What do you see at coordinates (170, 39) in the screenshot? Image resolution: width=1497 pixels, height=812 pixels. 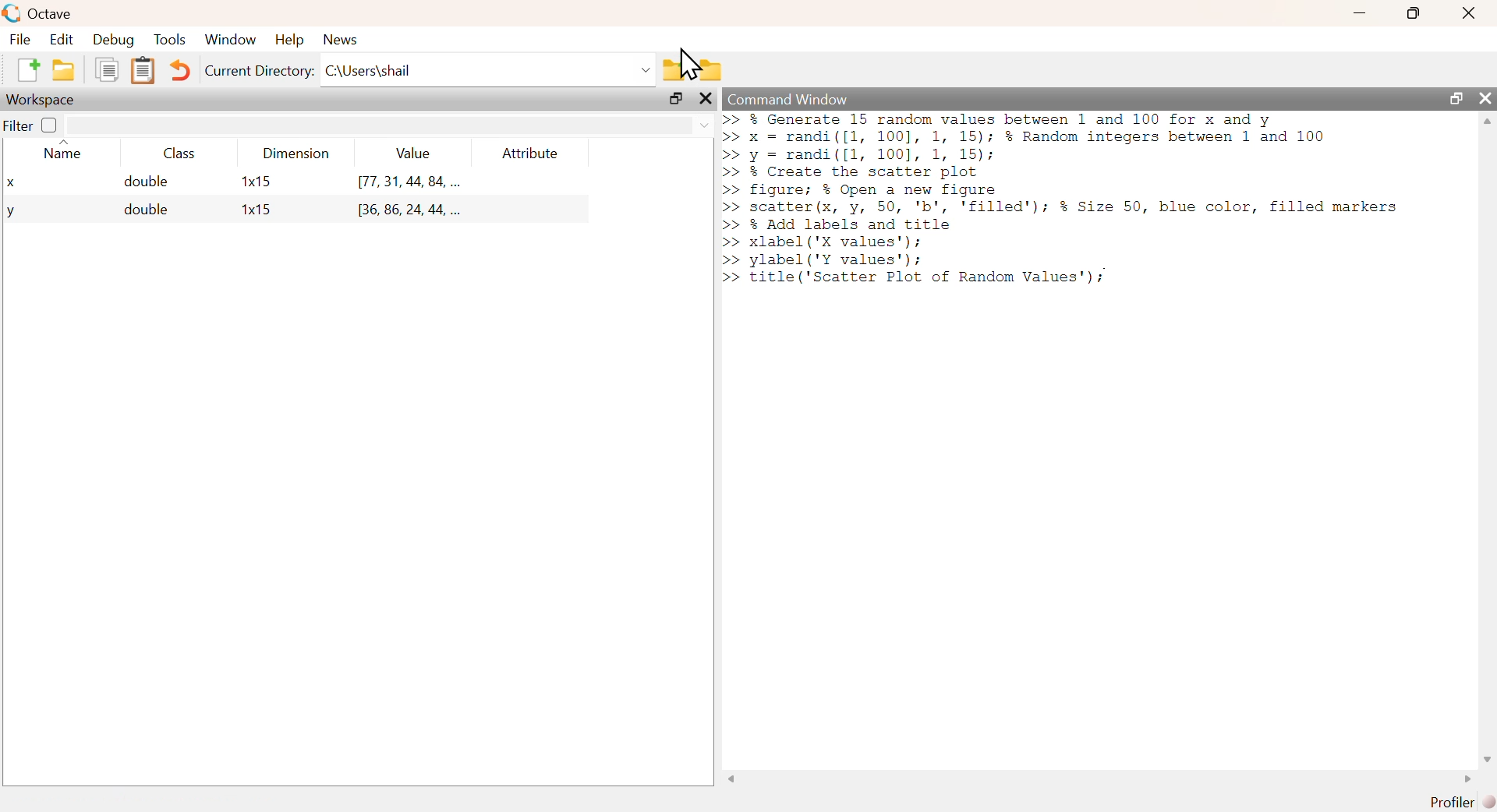 I see `Tools` at bounding box center [170, 39].